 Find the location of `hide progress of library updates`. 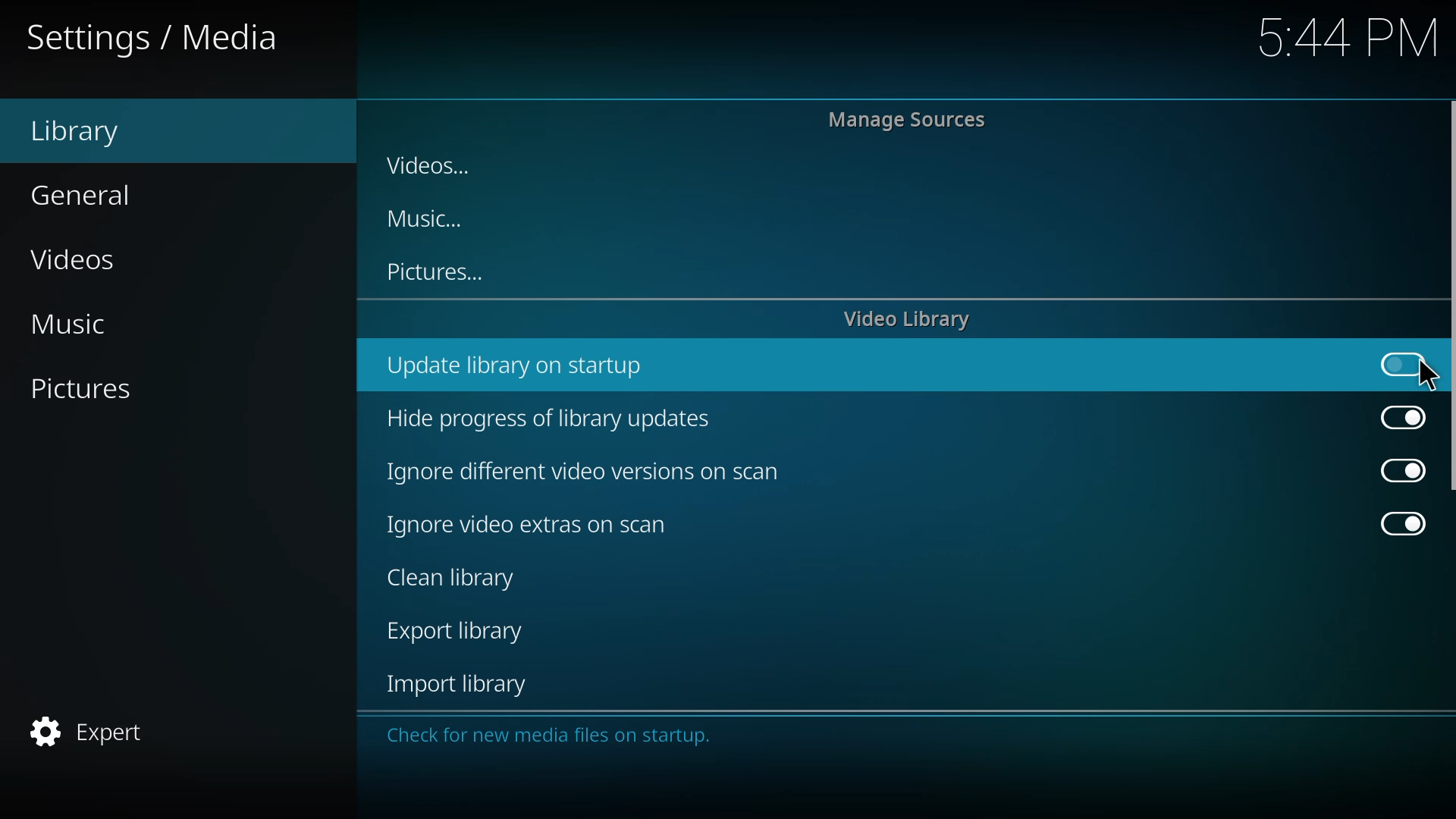

hide progress of library updates is located at coordinates (560, 422).